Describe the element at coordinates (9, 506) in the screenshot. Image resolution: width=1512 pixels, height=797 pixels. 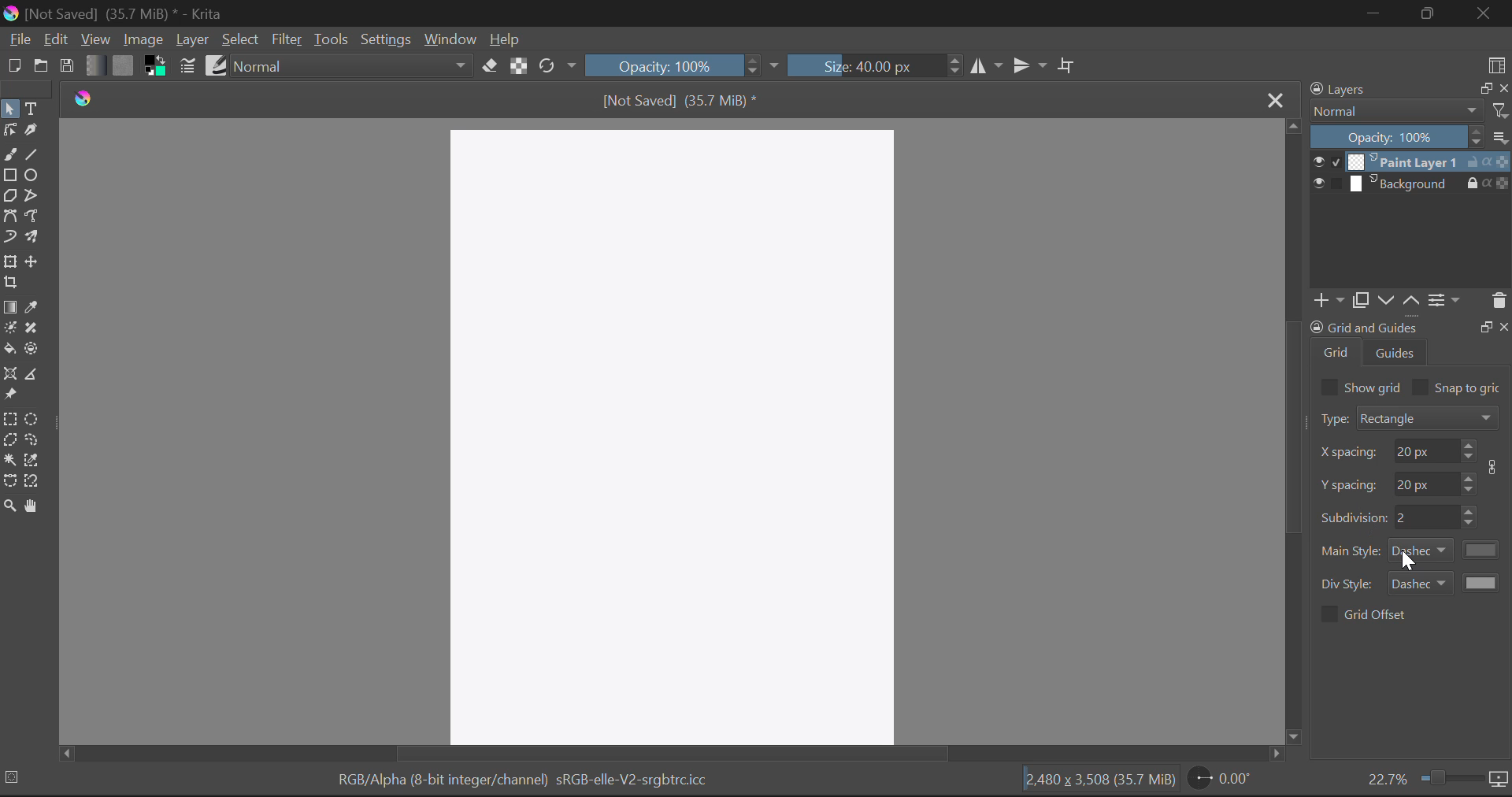
I see `Zoom` at that location.